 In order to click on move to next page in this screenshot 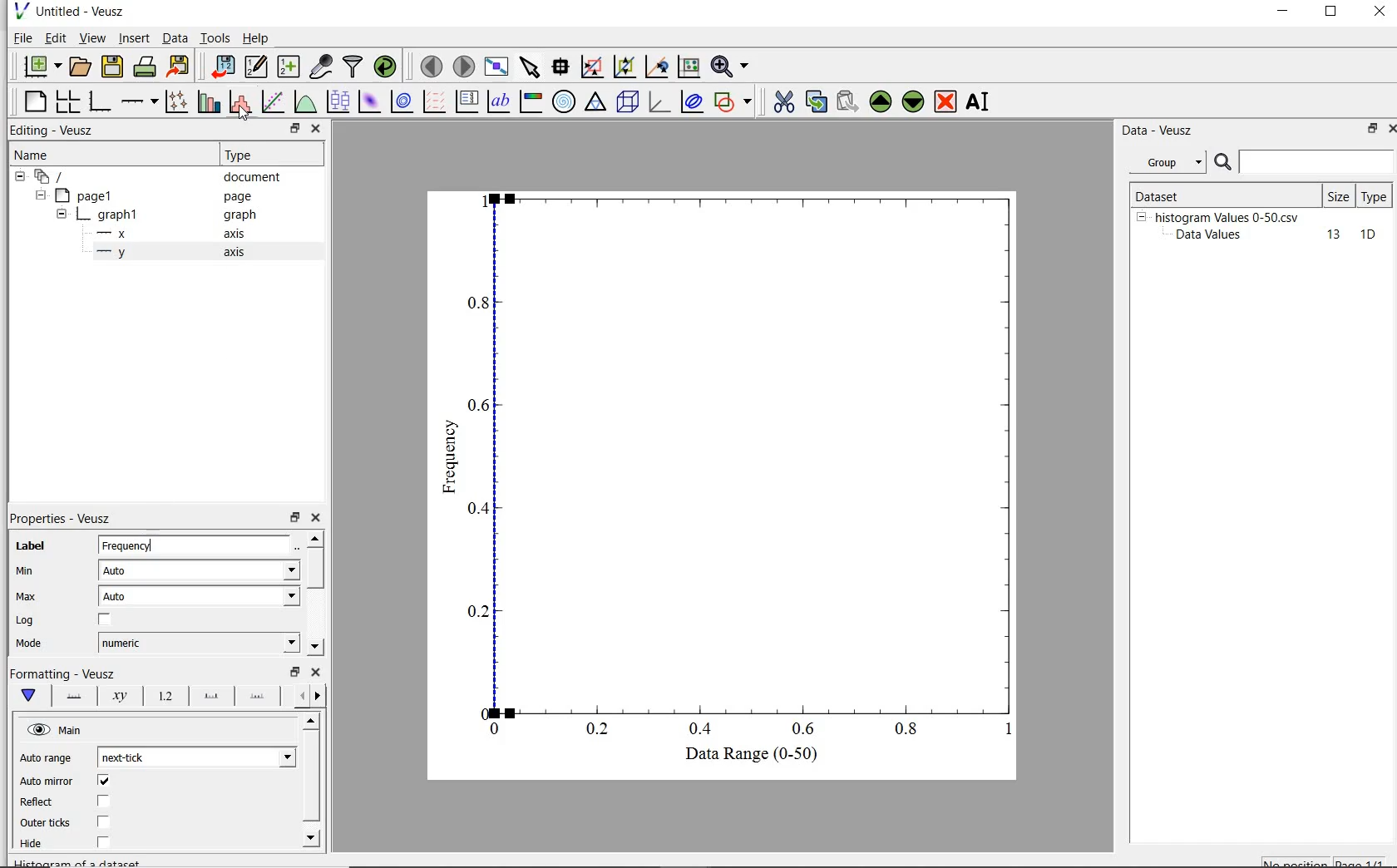, I will do `click(465, 66)`.